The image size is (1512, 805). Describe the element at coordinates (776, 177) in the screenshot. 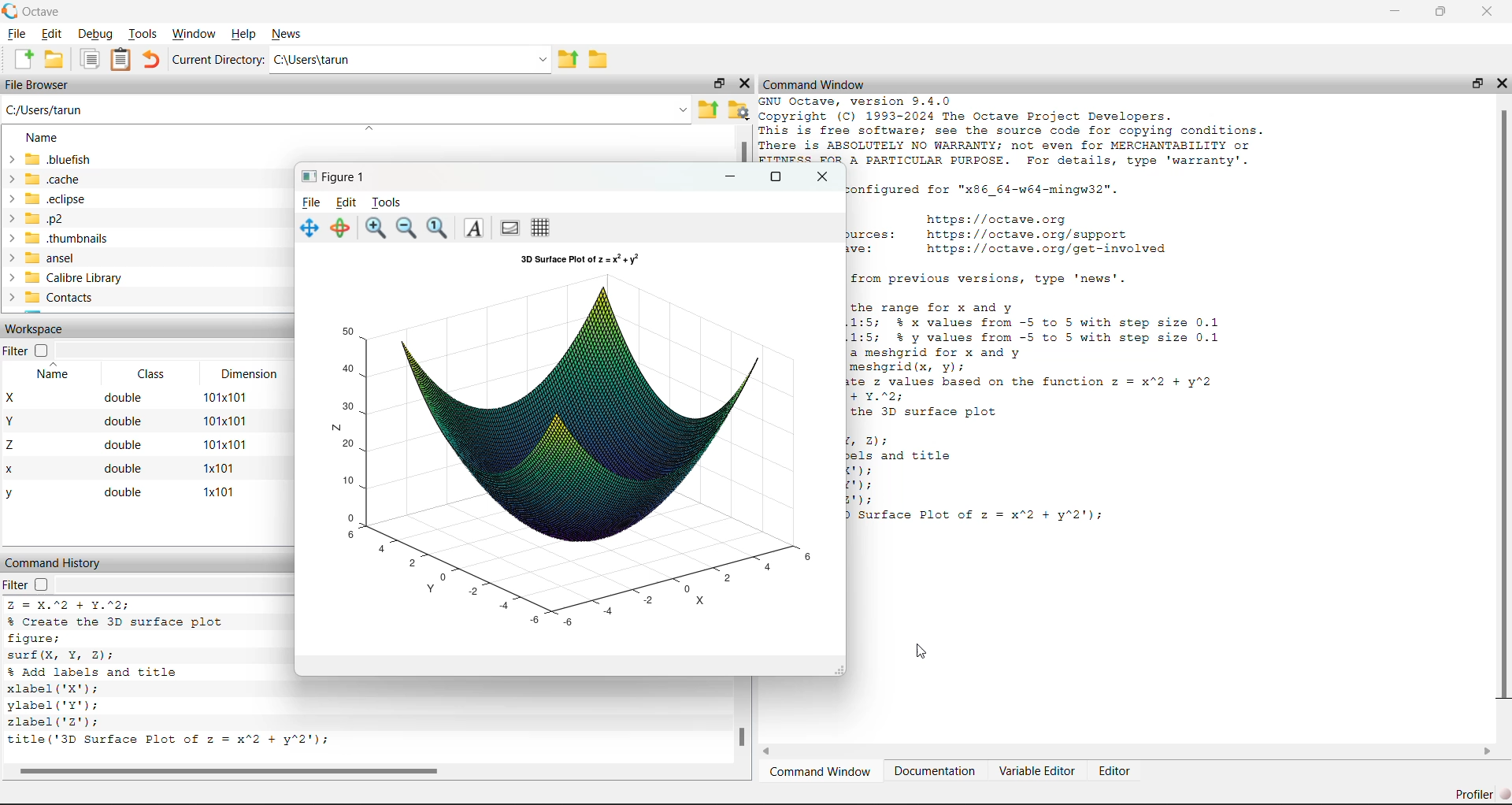

I see `Maximize` at that location.